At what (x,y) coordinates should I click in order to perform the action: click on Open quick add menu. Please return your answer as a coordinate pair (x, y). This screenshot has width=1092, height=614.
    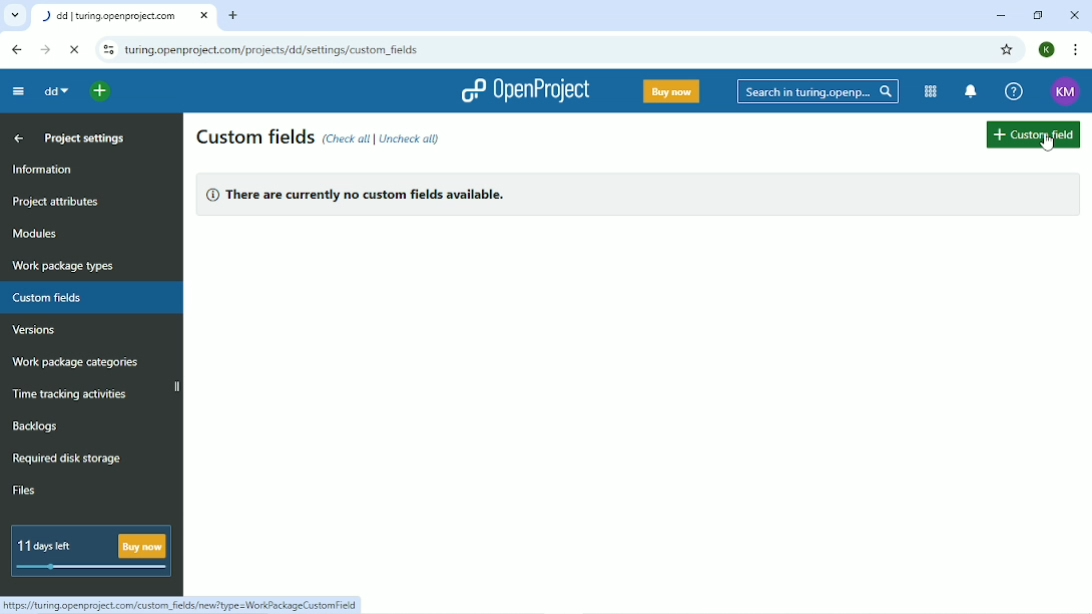
    Looking at the image, I should click on (102, 92).